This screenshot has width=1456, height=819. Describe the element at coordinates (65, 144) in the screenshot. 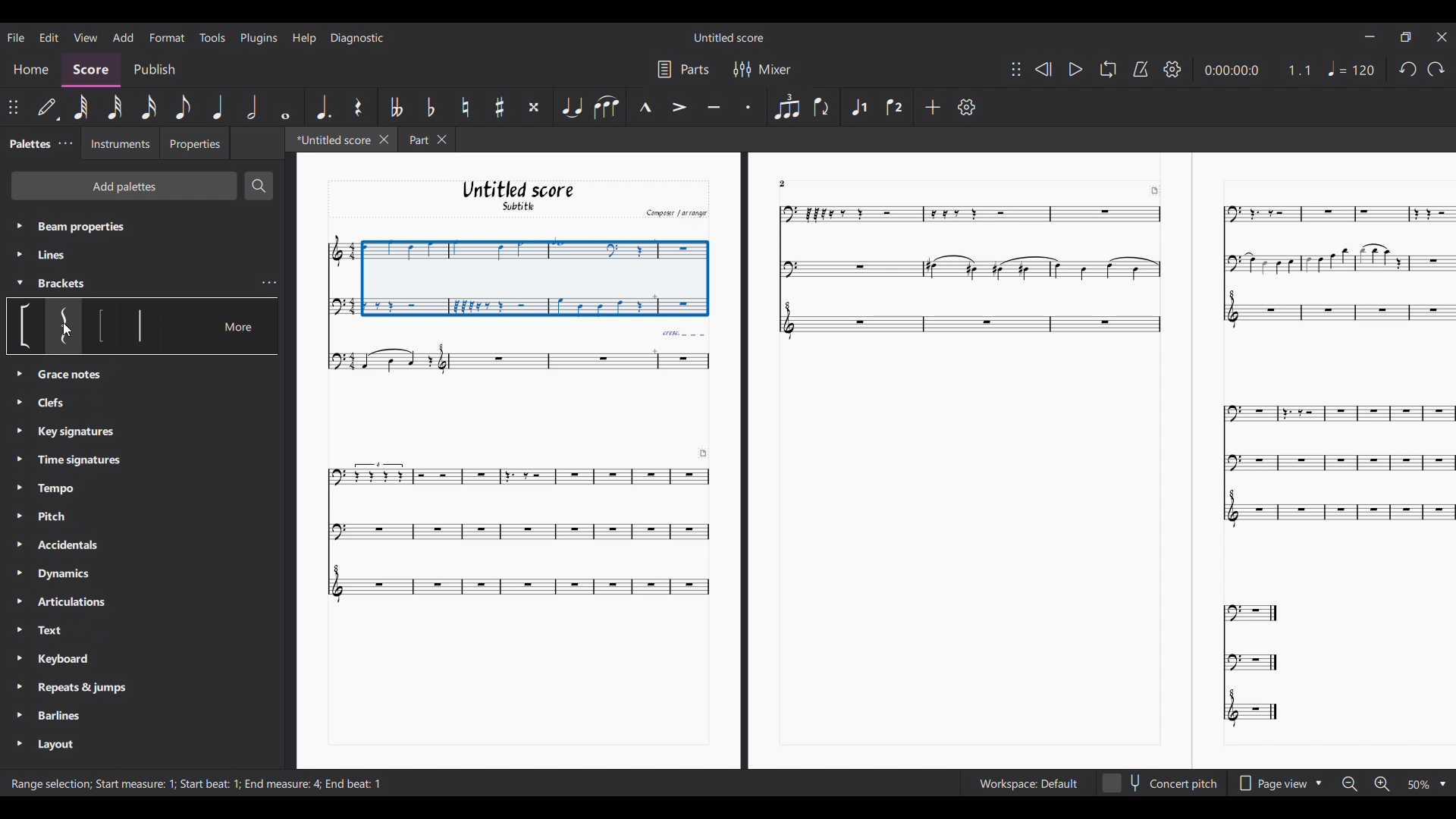

I see `Palette settings` at that location.